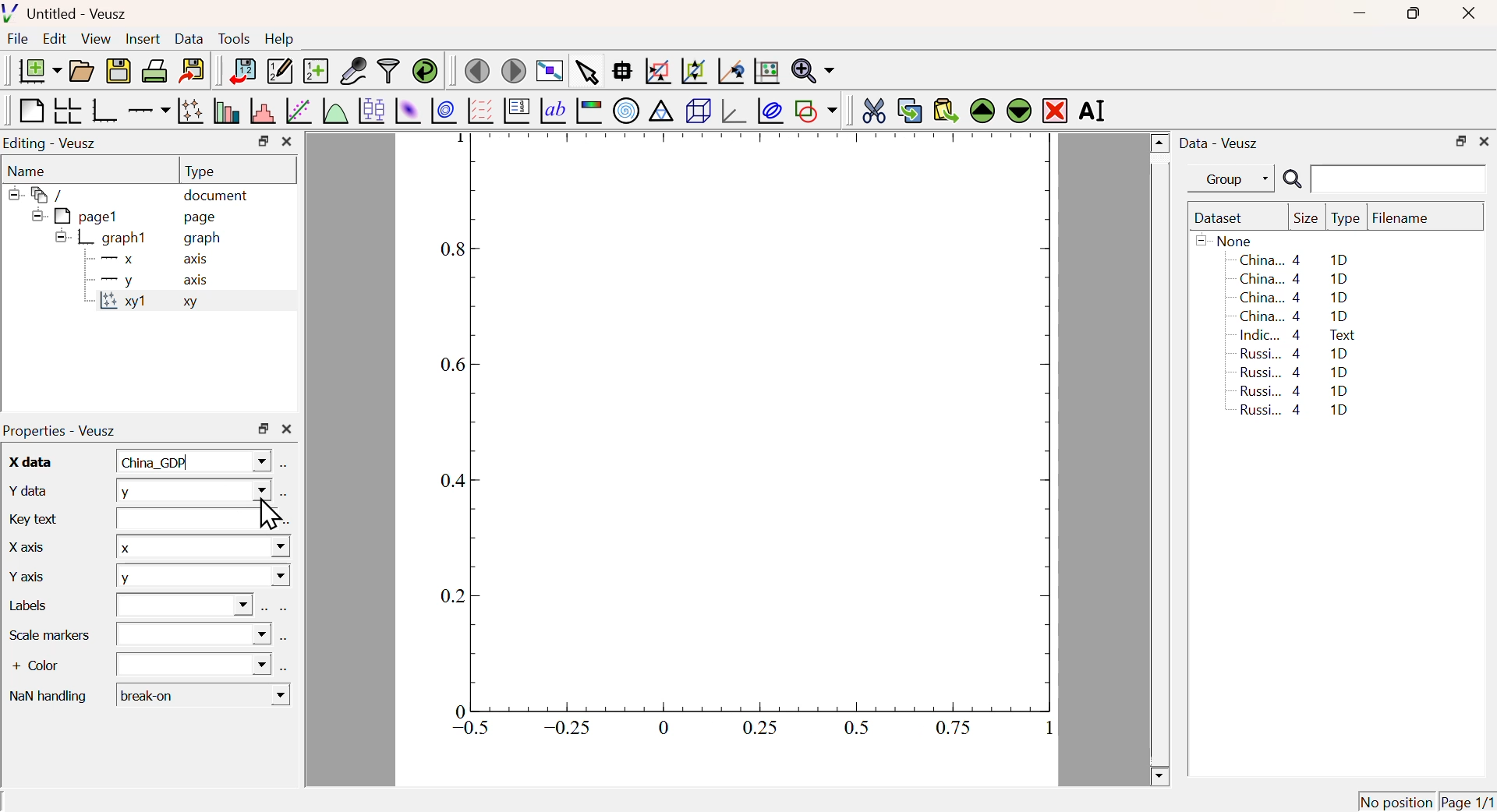  Describe the element at coordinates (195, 634) in the screenshot. I see `Dropdown` at that location.